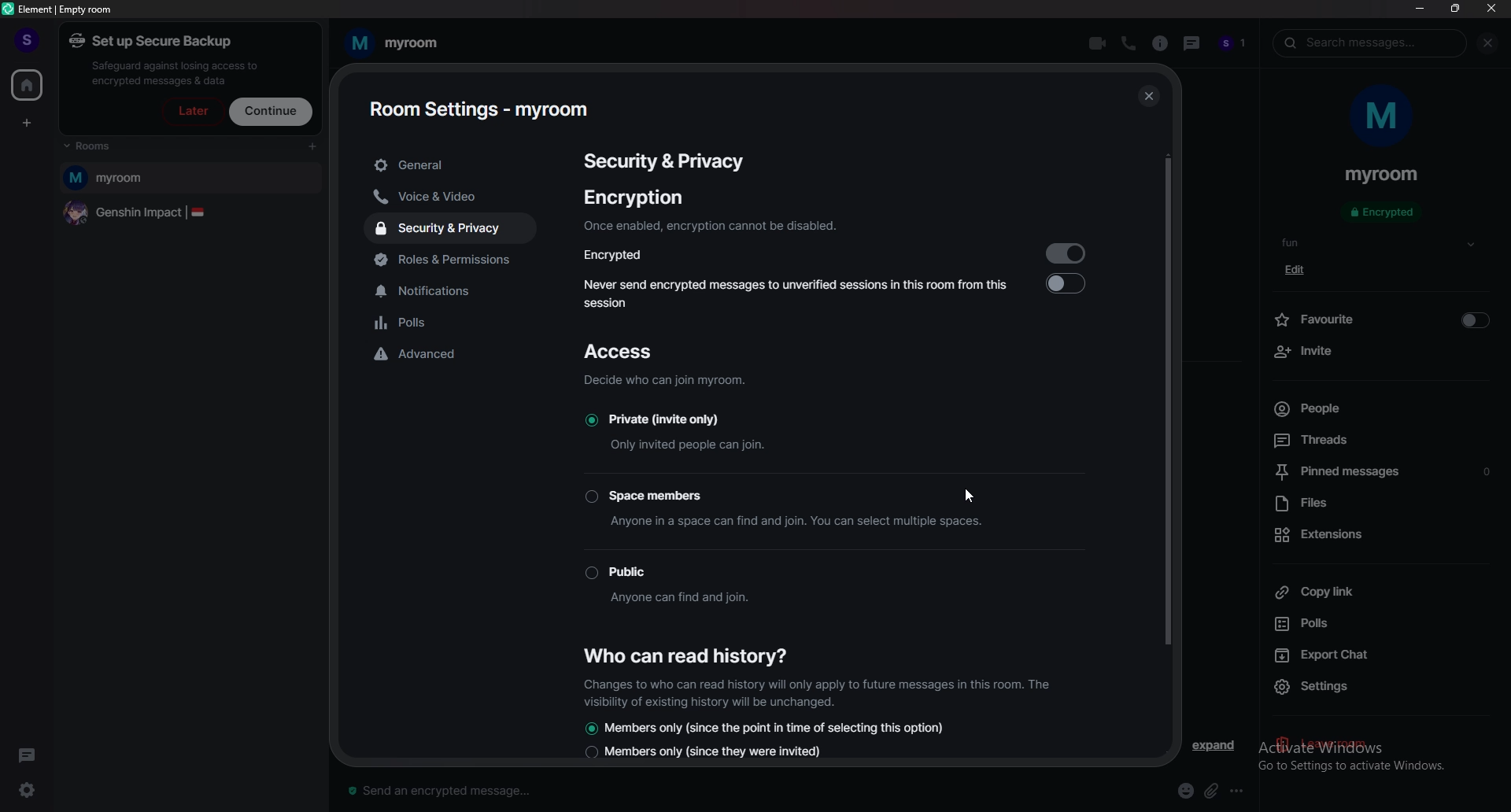 This screenshot has width=1511, height=812. I want to click on security and privacy, so click(450, 229).